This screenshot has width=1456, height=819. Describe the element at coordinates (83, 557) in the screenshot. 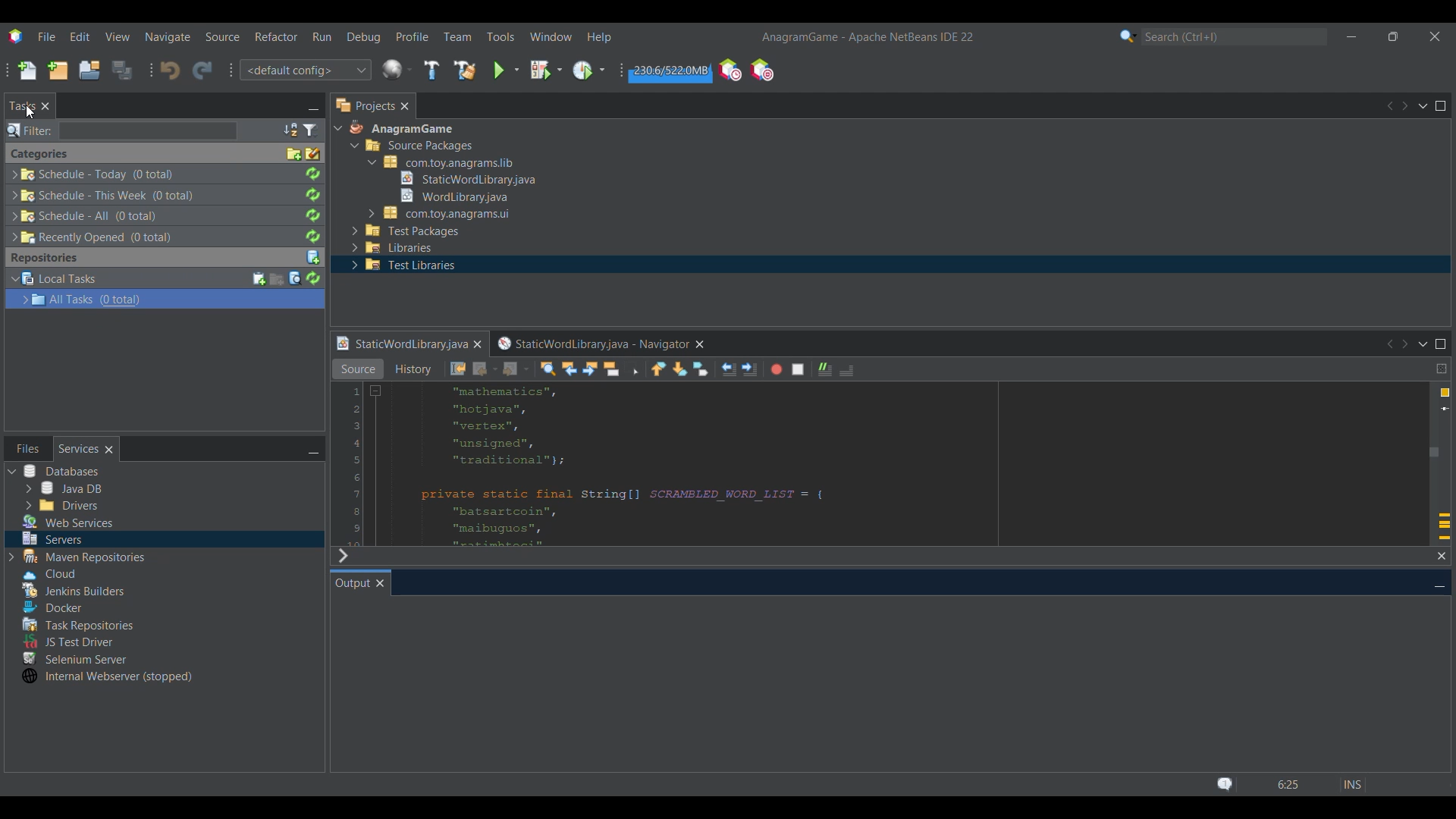

I see `` at that location.